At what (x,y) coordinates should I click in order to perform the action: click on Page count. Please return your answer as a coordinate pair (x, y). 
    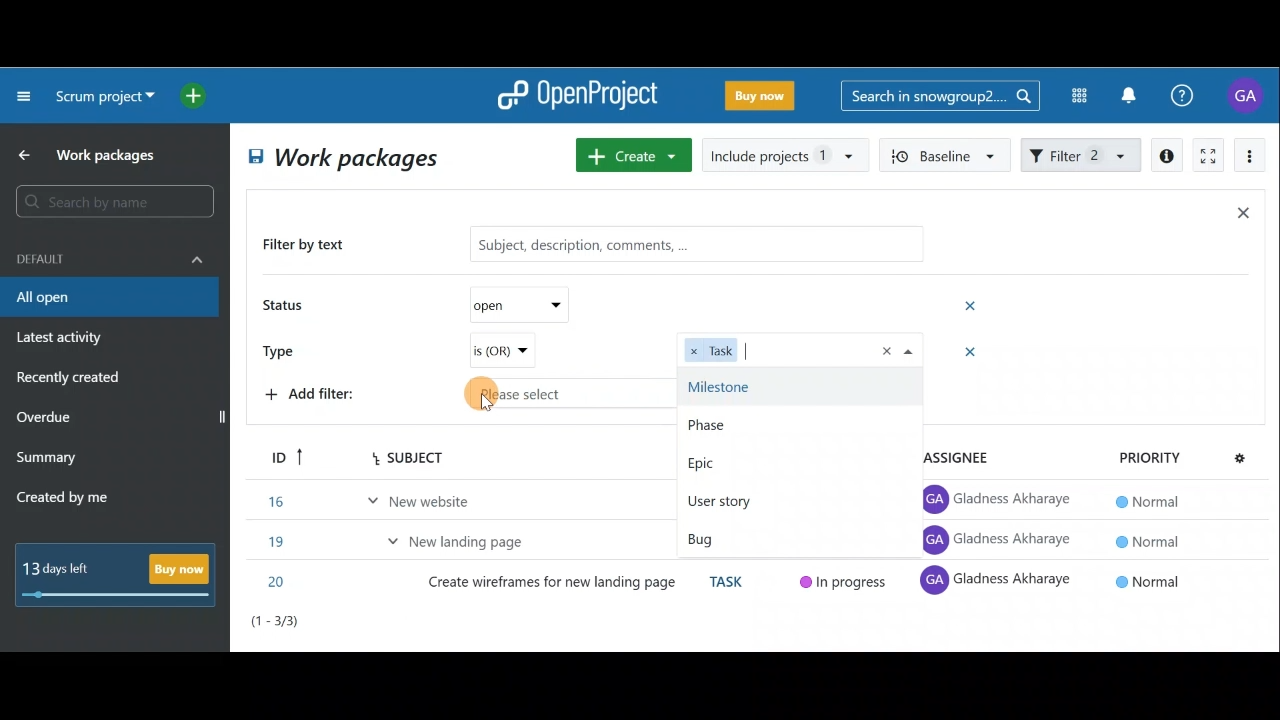
    Looking at the image, I should click on (1205, 622).